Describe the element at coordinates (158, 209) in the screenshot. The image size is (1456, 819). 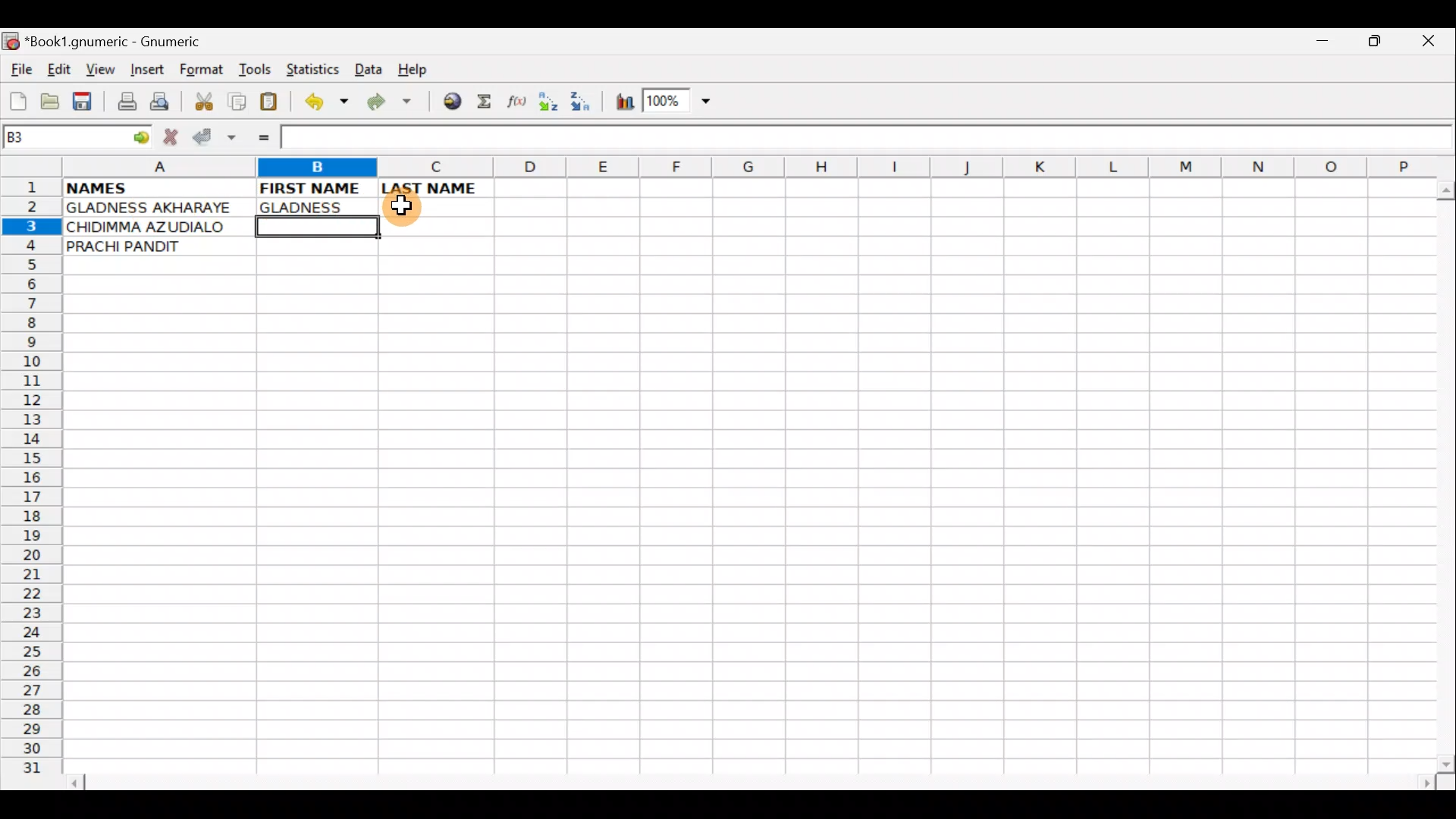
I see `GLADNESS AKHARAYE` at that location.